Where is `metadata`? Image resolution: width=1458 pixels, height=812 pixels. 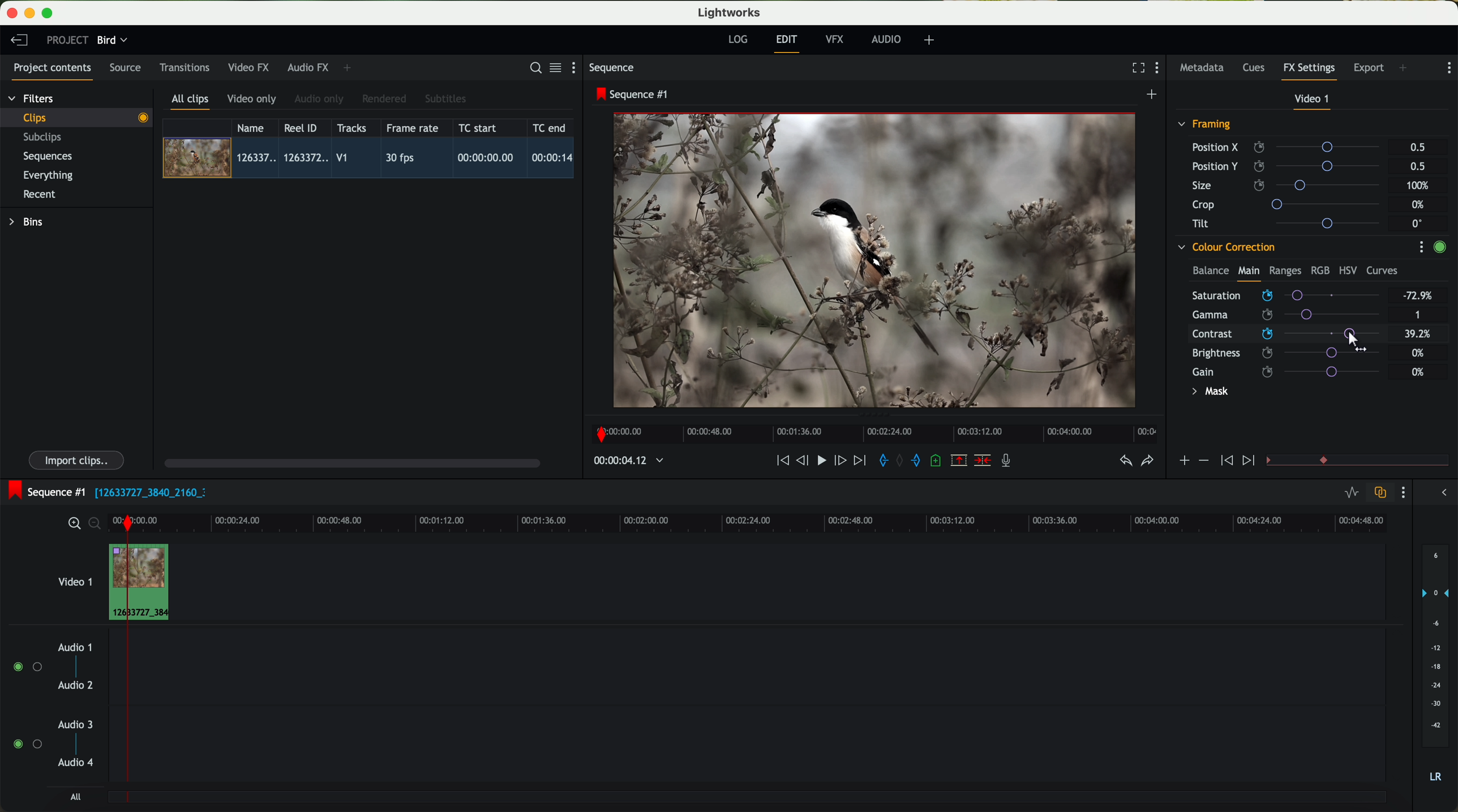
metadata is located at coordinates (1204, 68).